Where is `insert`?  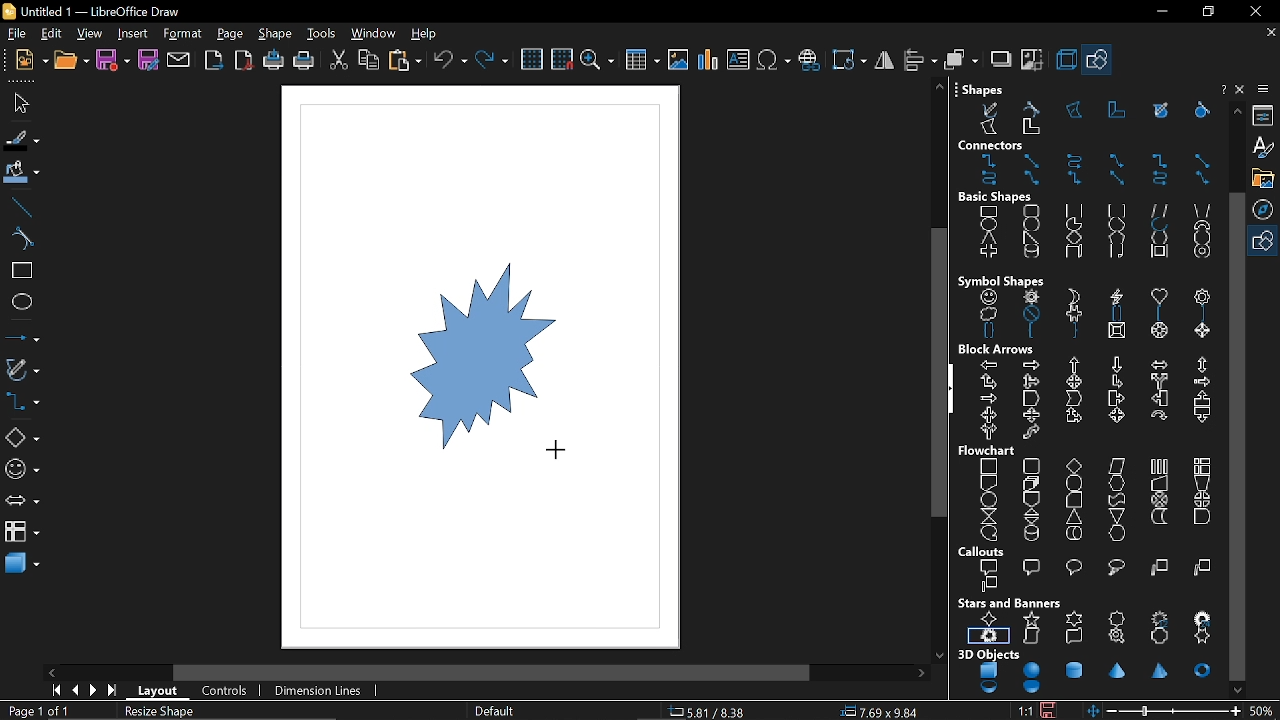 insert is located at coordinates (135, 33).